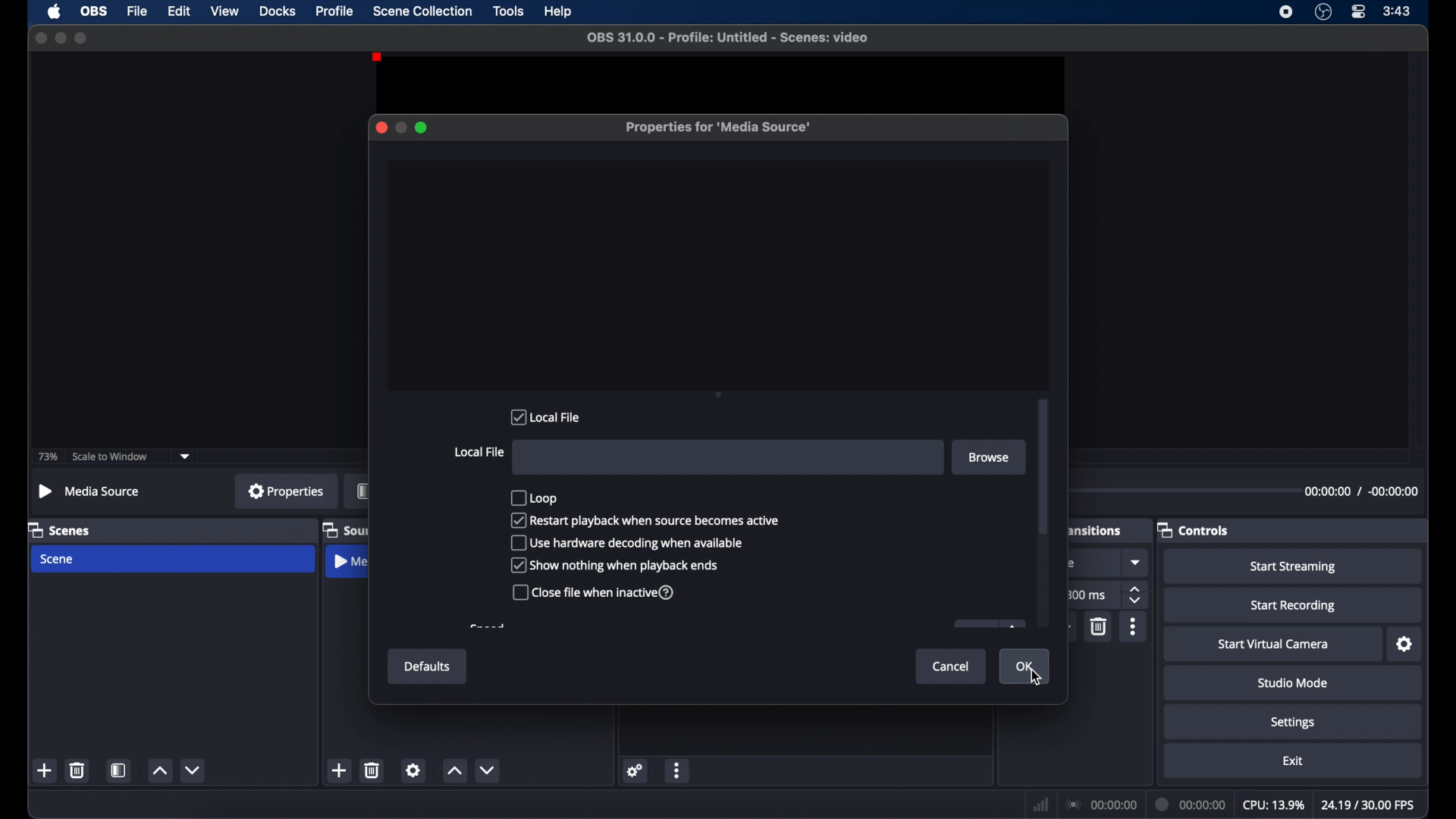 Image resolution: width=1456 pixels, height=819 pixels. I want to click on decrement, so click(487, 770).